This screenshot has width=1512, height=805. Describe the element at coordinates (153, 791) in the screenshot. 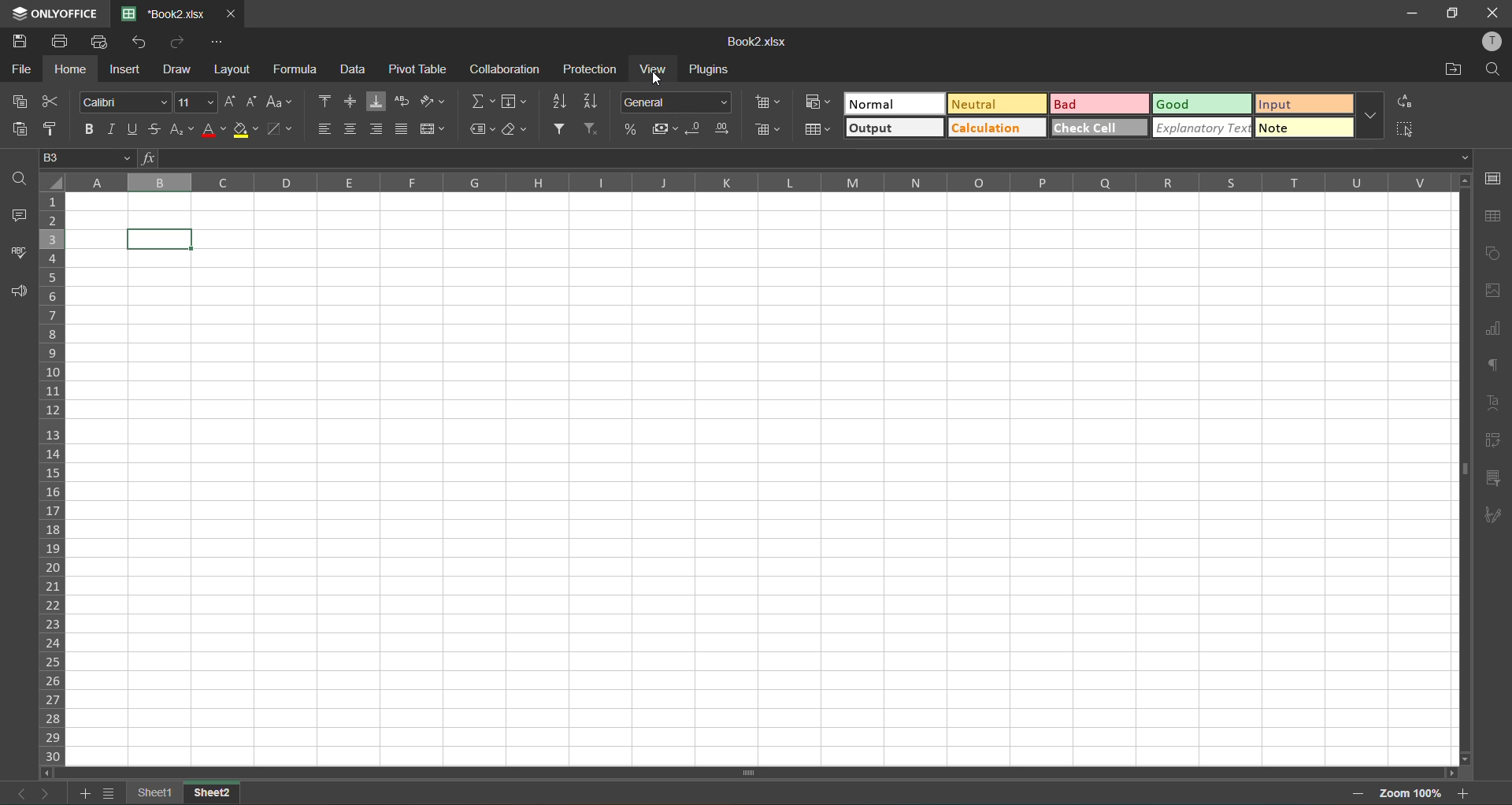

I see `sheet 1` at that location.